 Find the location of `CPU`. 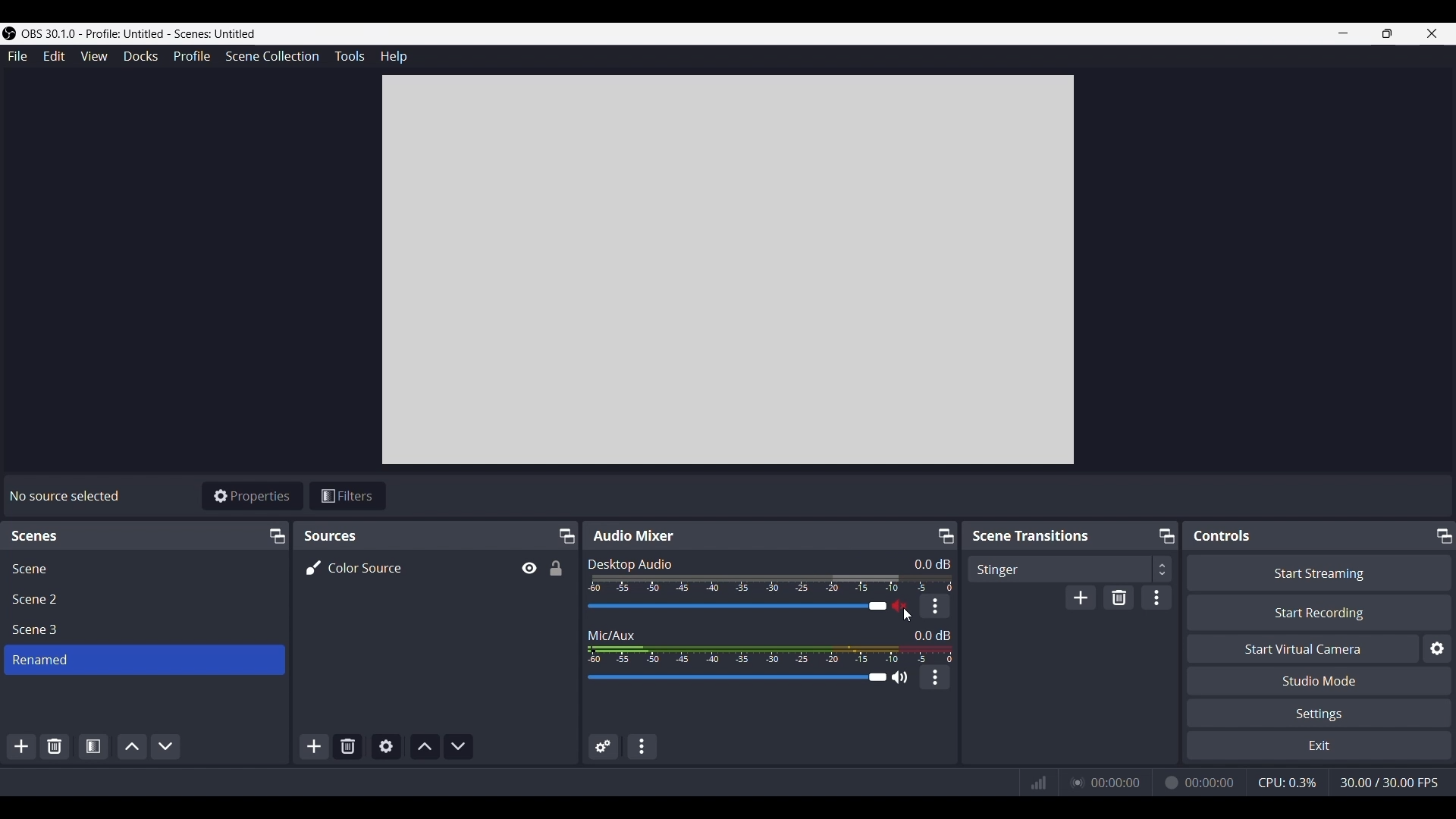

CPU is located at coordinates (1285, 782).